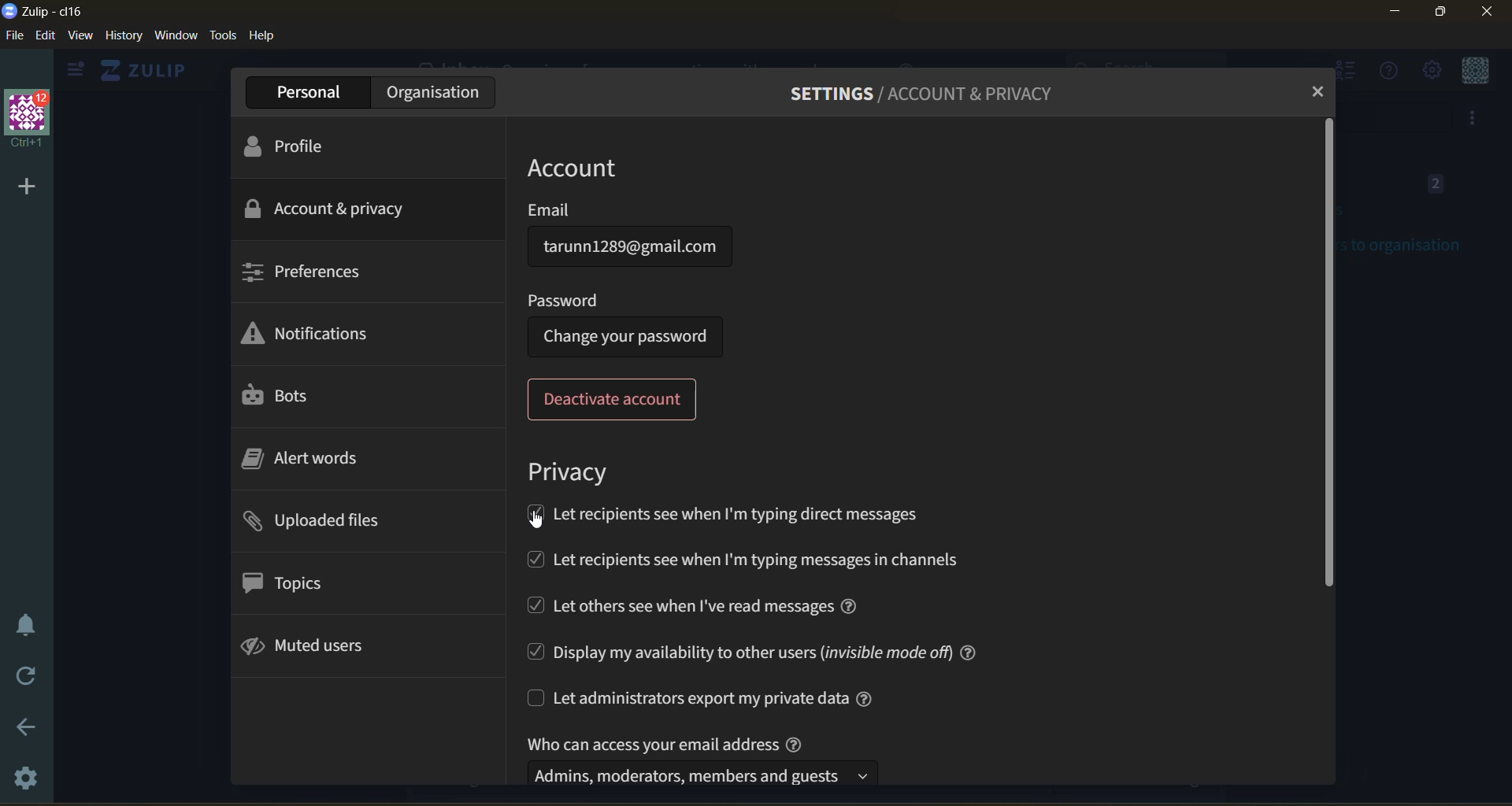  I want to click on deactivate account, so click(617, 400).